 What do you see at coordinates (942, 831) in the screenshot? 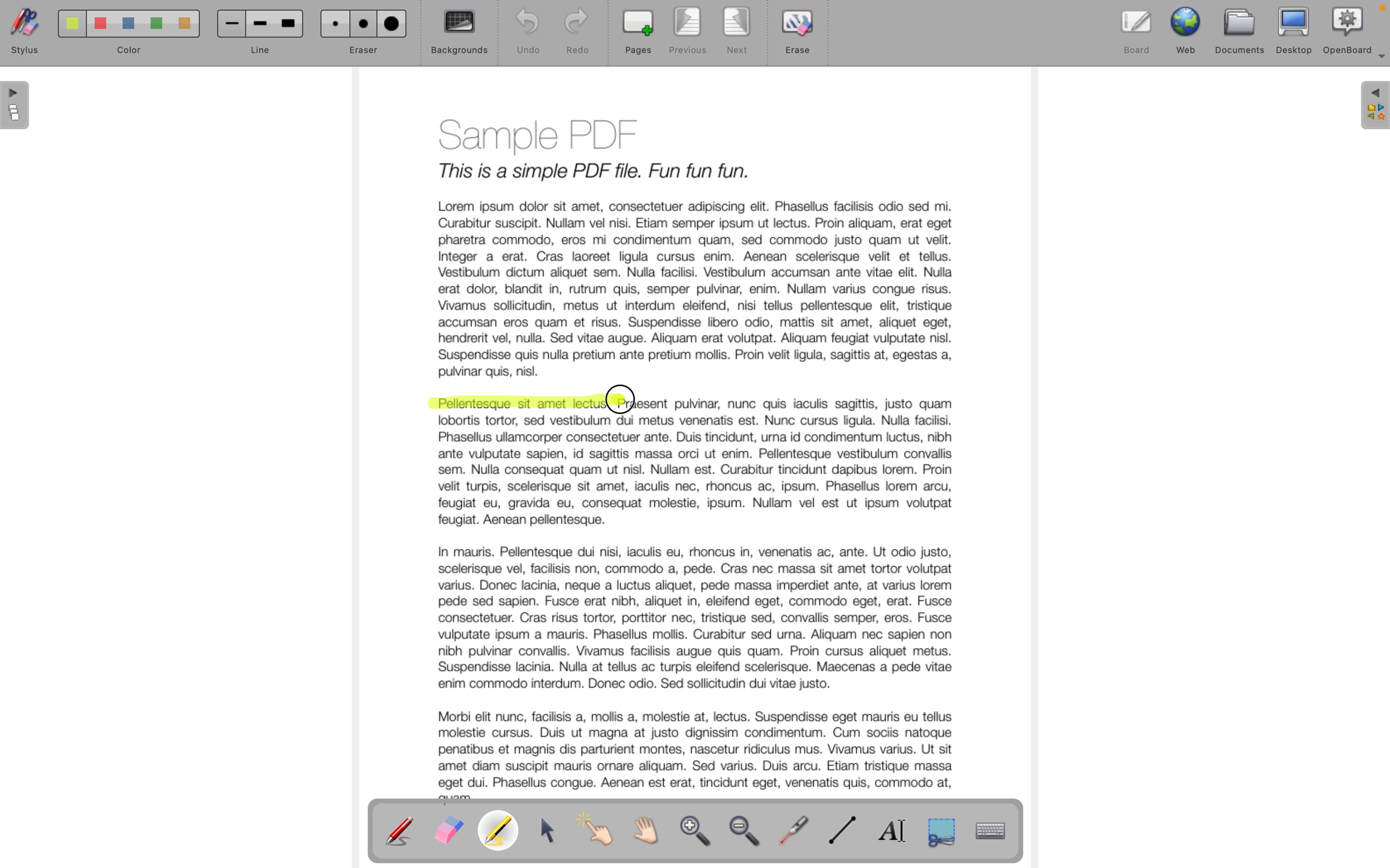
I see `capture a part of the screen` at bounding box center [942, 831].